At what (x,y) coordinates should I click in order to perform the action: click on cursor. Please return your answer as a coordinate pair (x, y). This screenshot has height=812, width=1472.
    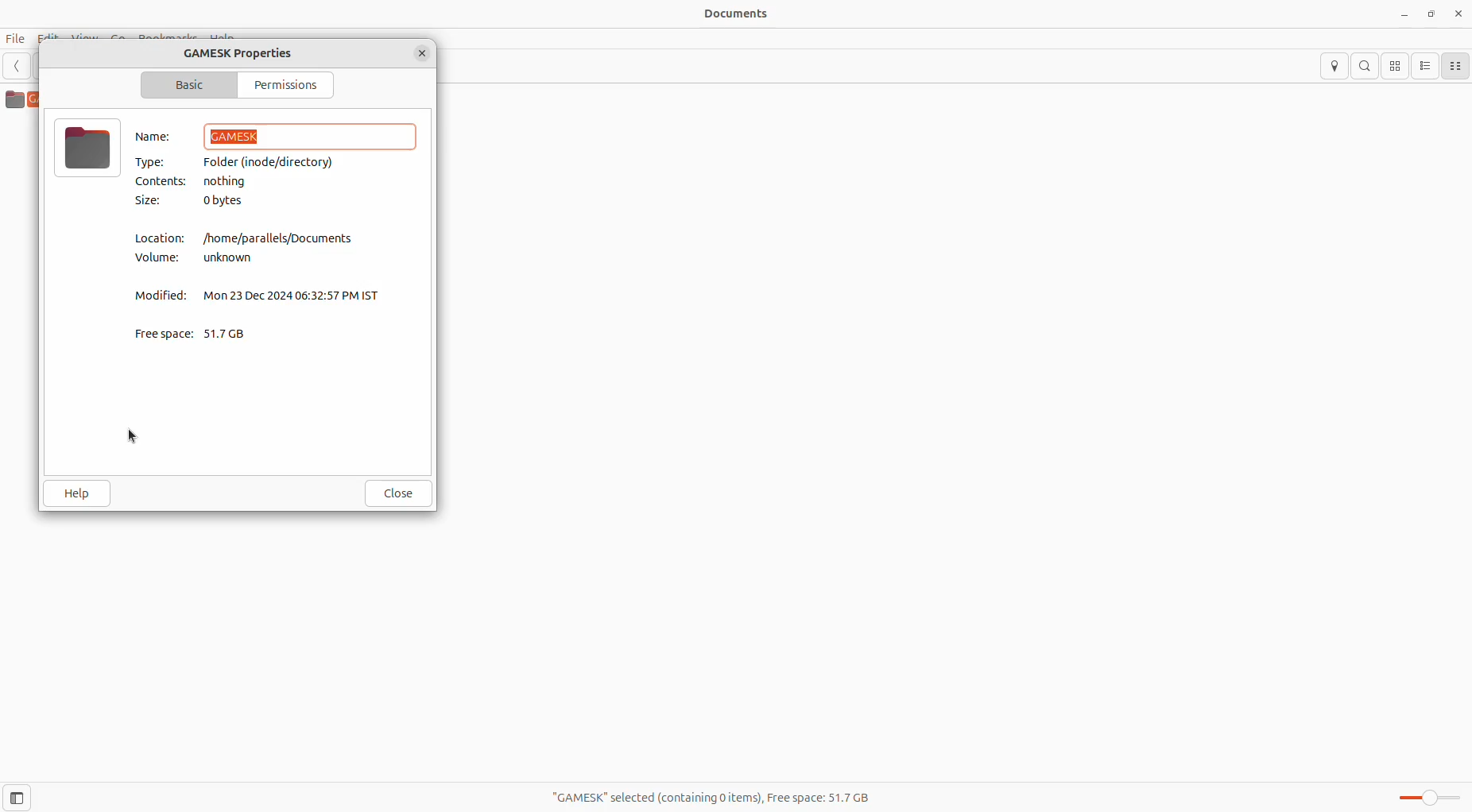
    Looking at the image, I should click on (131, 435).